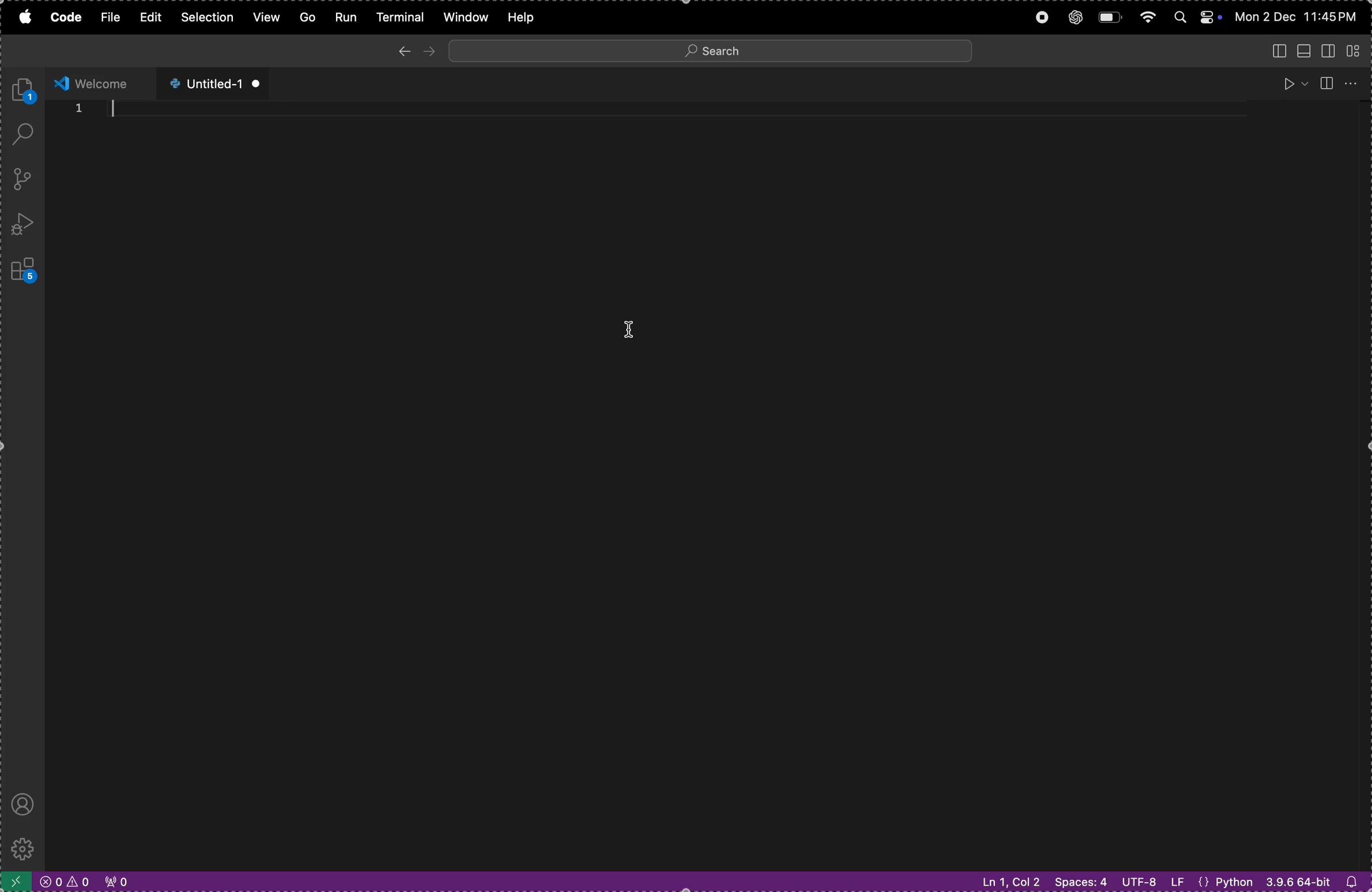 The width and height of the screenshot is (1372, 892). I want to click on code, so click(61, 17).